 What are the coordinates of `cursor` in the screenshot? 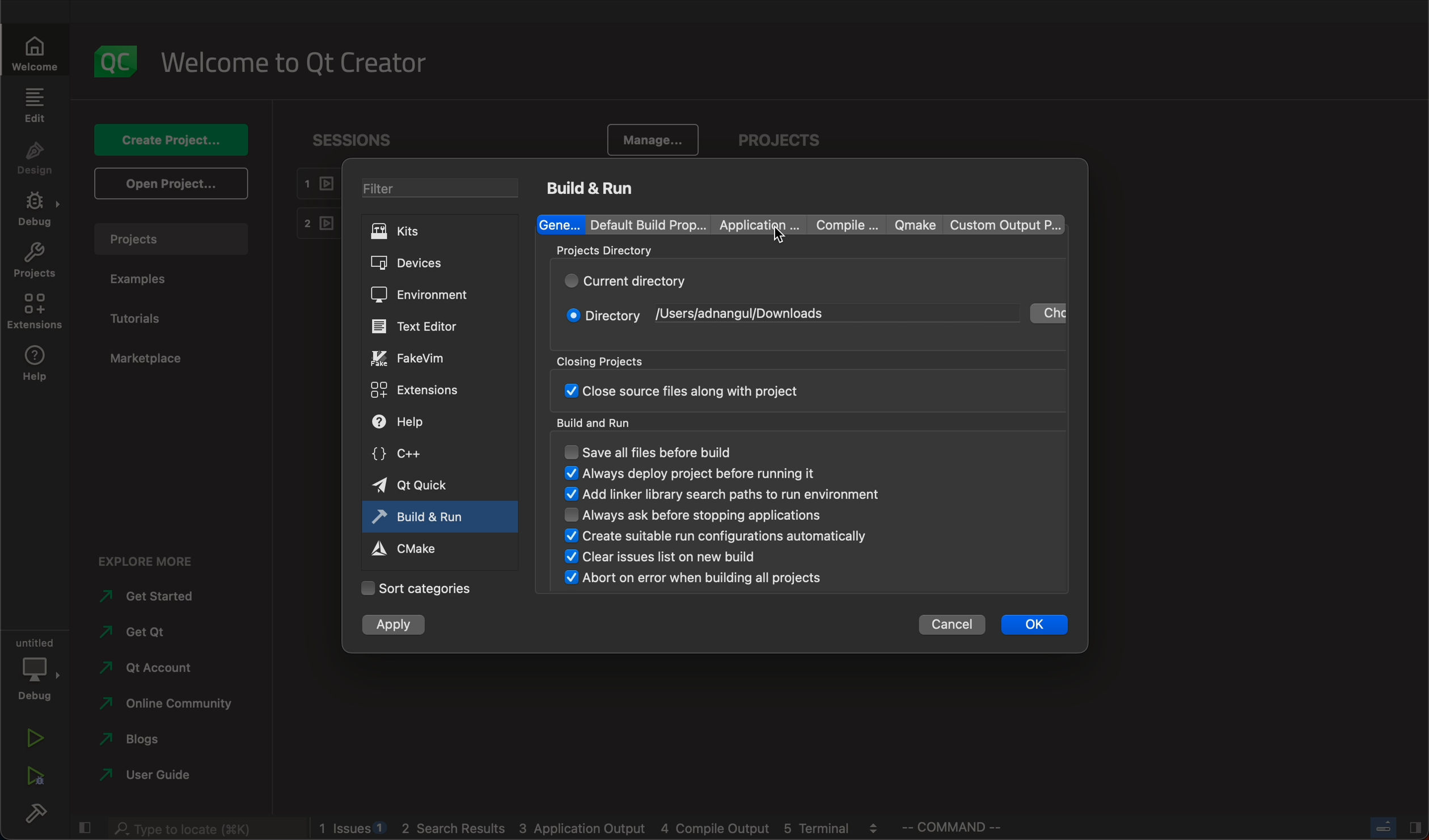 It's located at (783, 239).